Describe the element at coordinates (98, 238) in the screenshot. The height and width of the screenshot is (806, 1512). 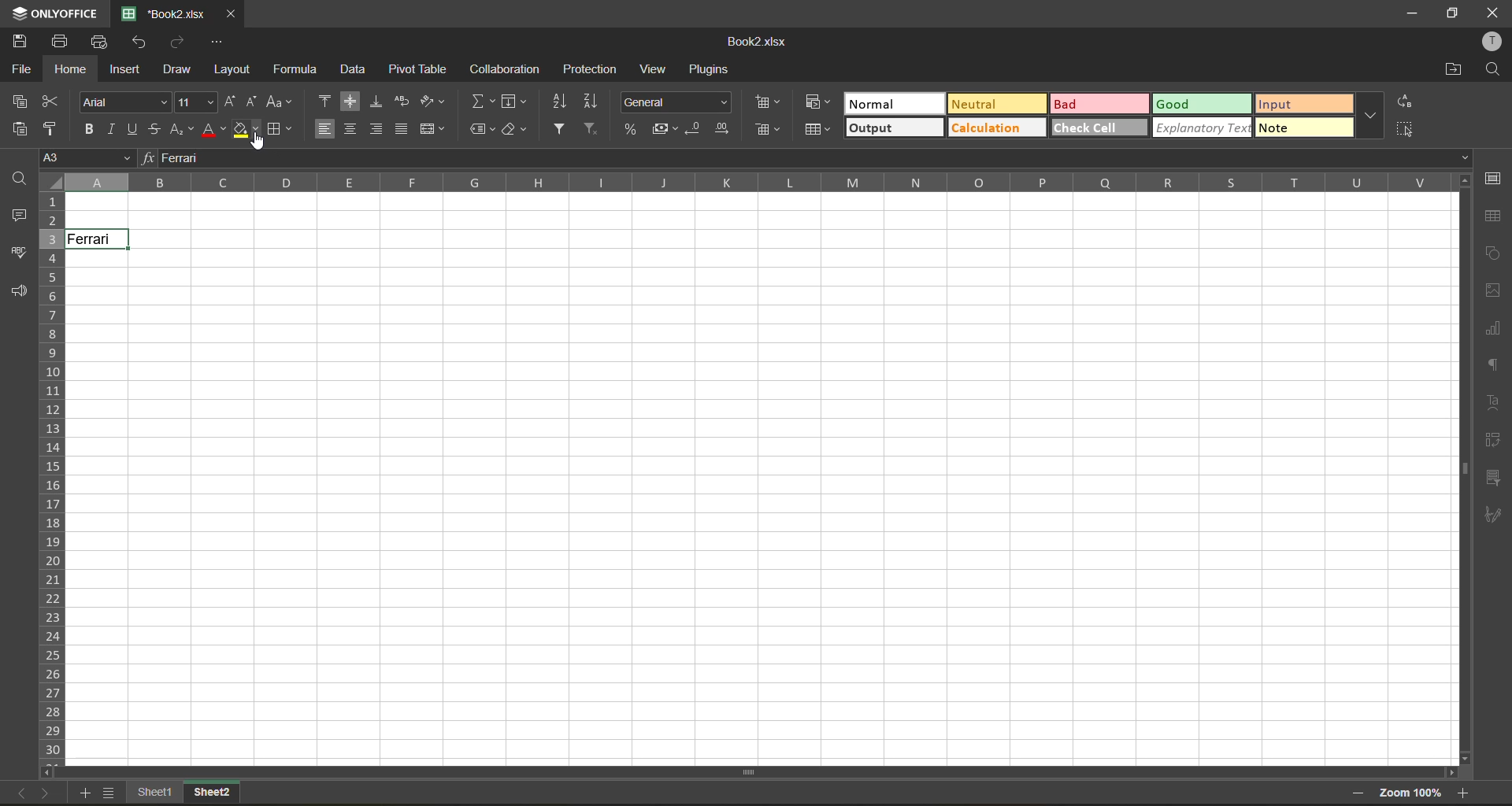
I see `Ferrari` at that location.